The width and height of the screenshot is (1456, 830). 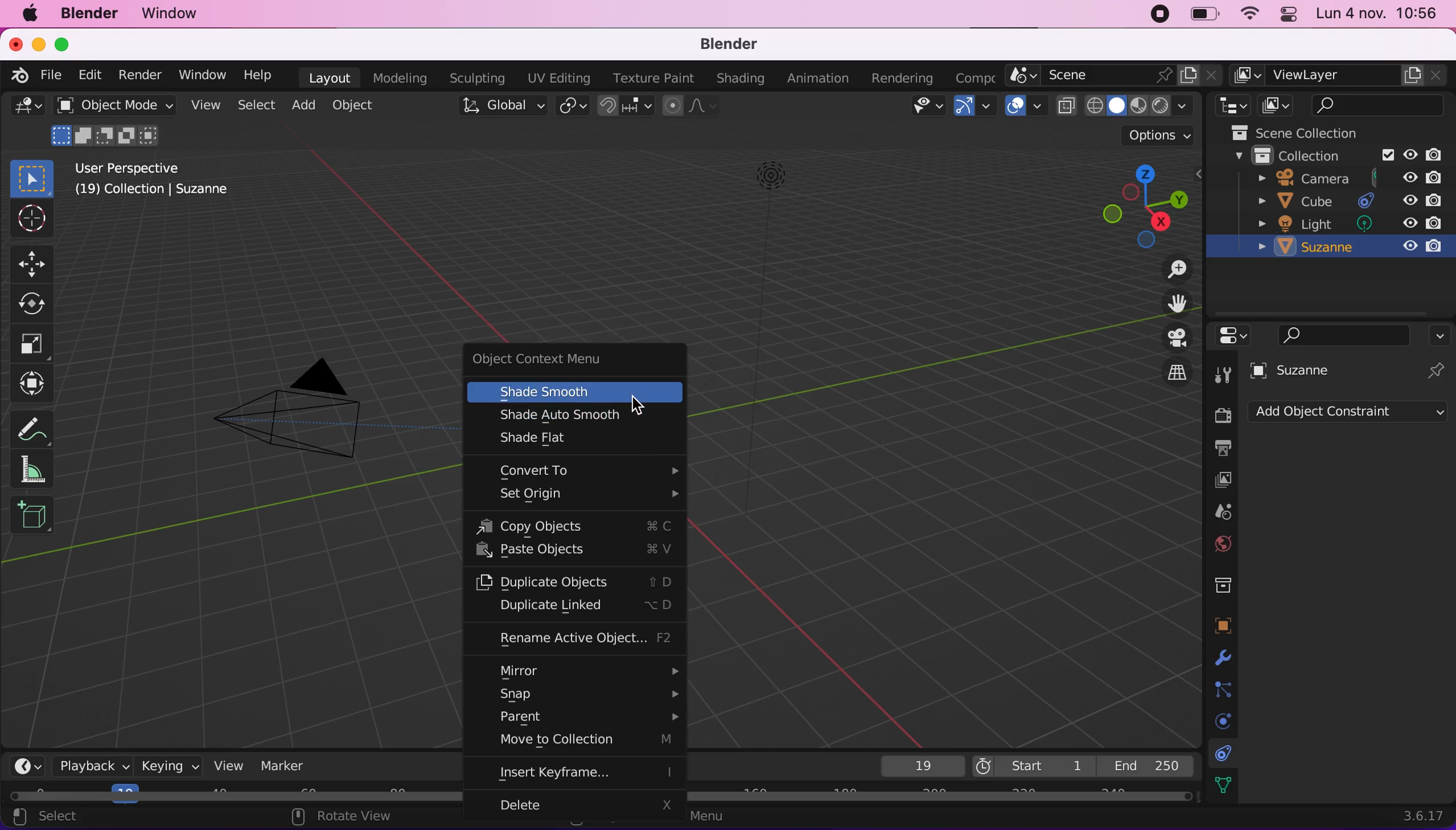 What do you see at coordinates (584, 670) in the screenshot?
I see `mirror` at bounding box center [584, 670].